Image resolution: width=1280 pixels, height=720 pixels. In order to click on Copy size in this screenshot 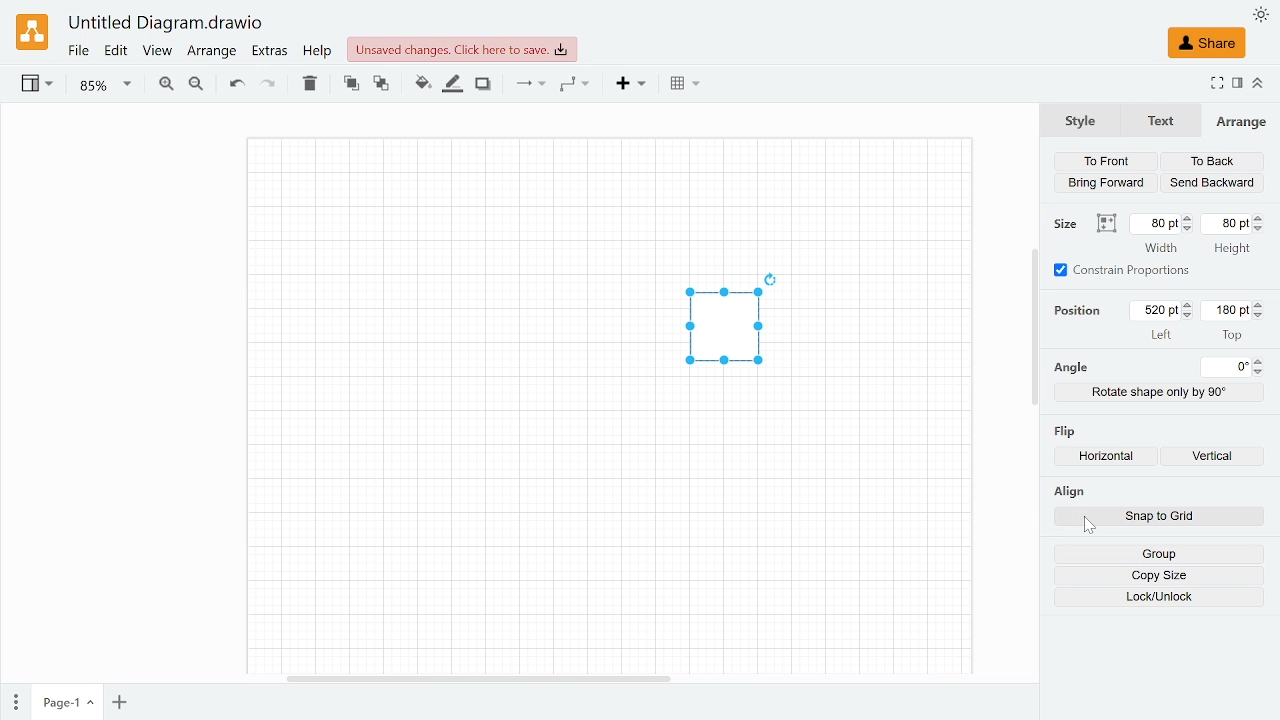, I will do `click(1159, 576)`.